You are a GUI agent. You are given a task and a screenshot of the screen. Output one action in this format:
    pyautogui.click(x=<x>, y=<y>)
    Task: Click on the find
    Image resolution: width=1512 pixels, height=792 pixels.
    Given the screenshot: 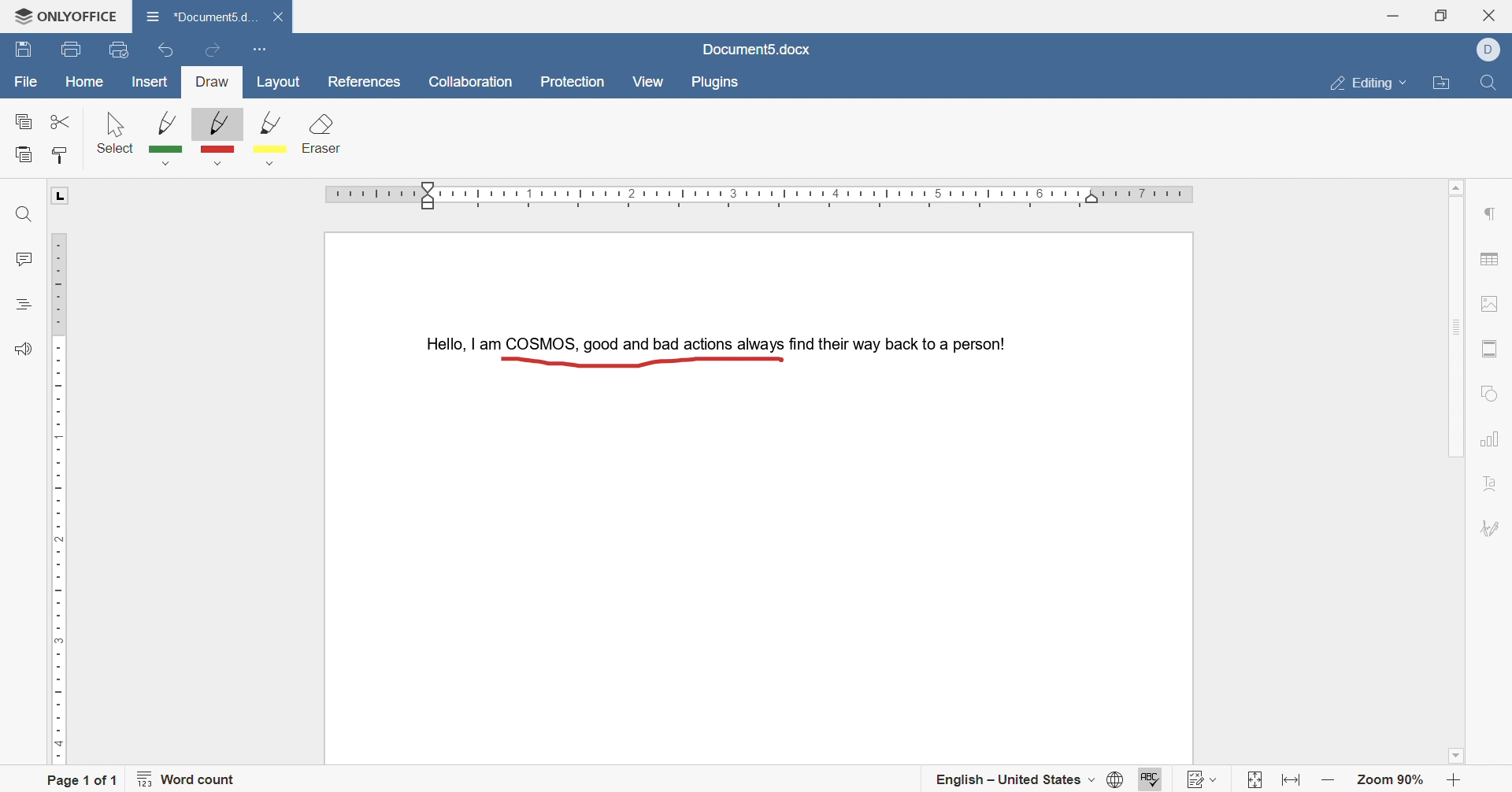 What is the action you would take?
    pyautogui.click(x=21, y=216)
    